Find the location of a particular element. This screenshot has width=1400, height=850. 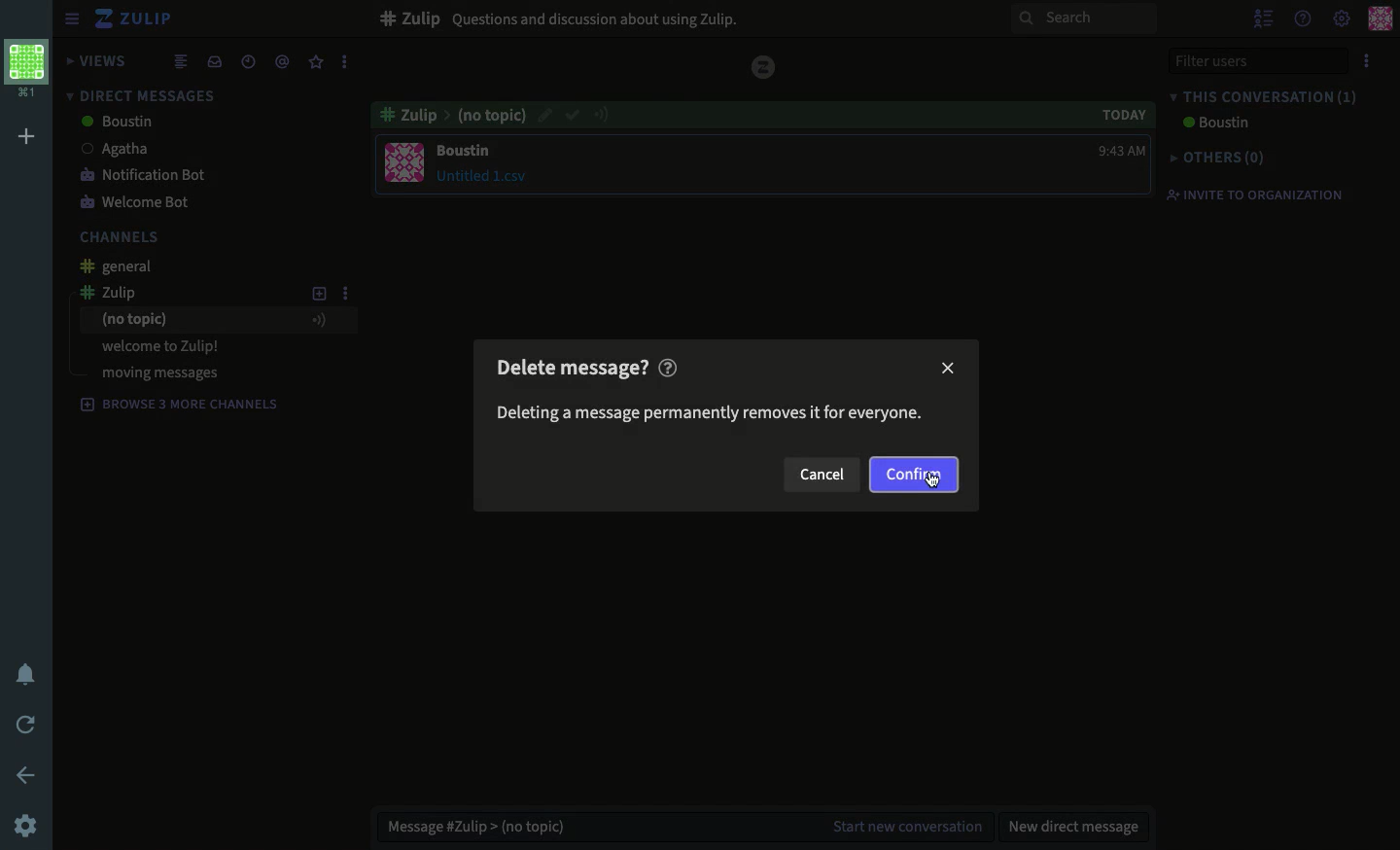

welcome to zulip is located at coordinates (164, 345).